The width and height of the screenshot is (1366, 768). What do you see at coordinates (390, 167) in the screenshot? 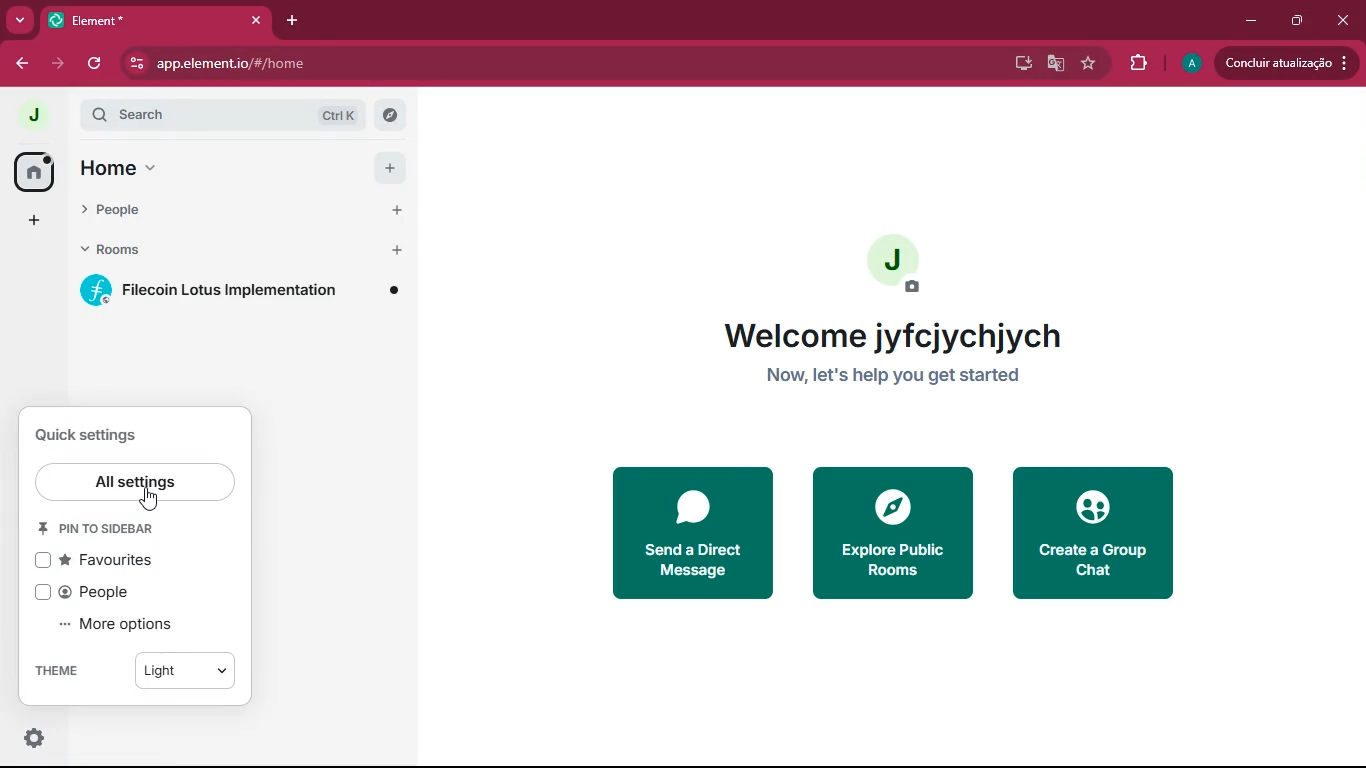
I see `add` at bounding box center [390, 167].